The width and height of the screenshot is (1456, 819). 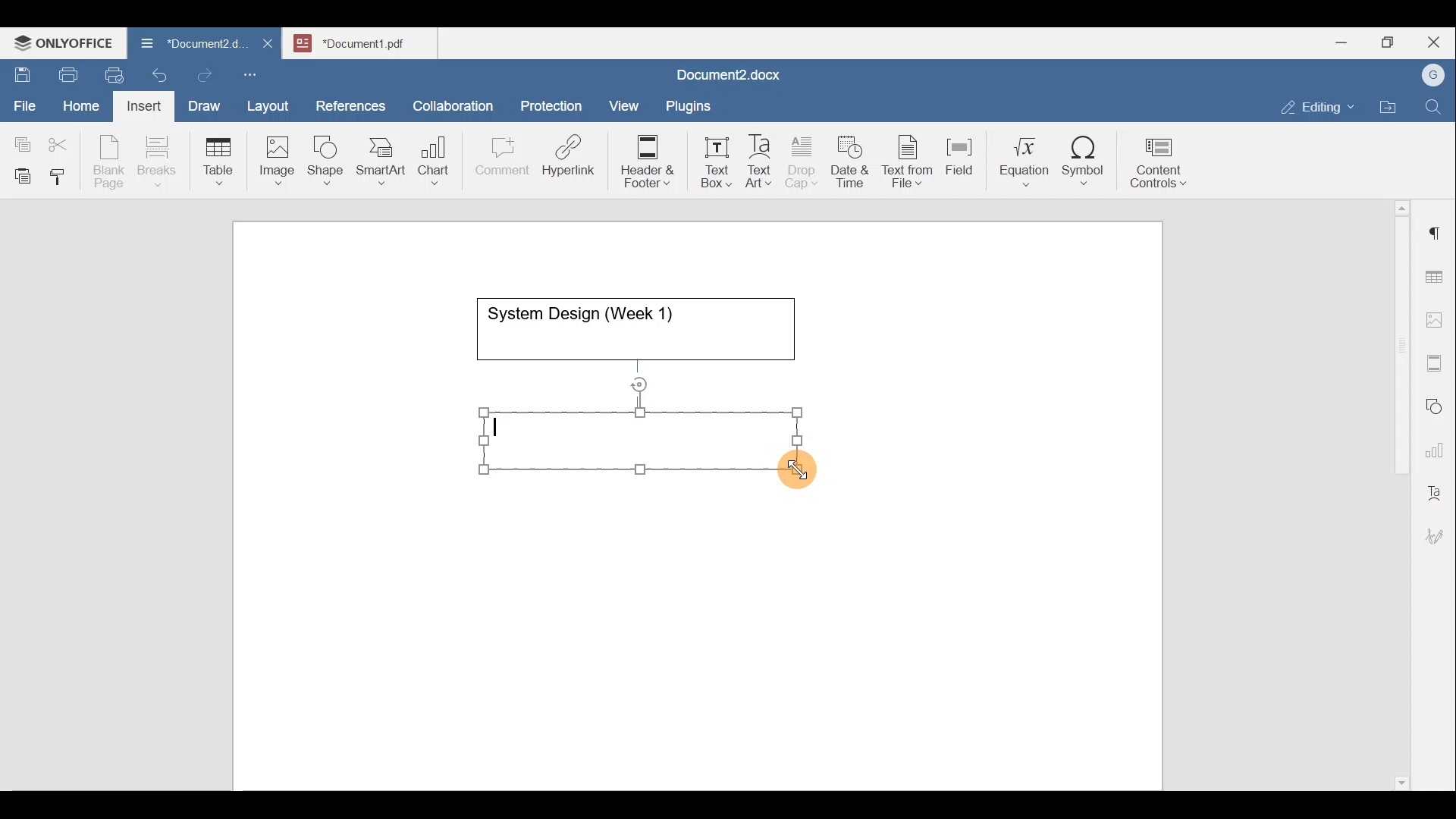 I want to click on Blank page, so click(x=111, y=162).